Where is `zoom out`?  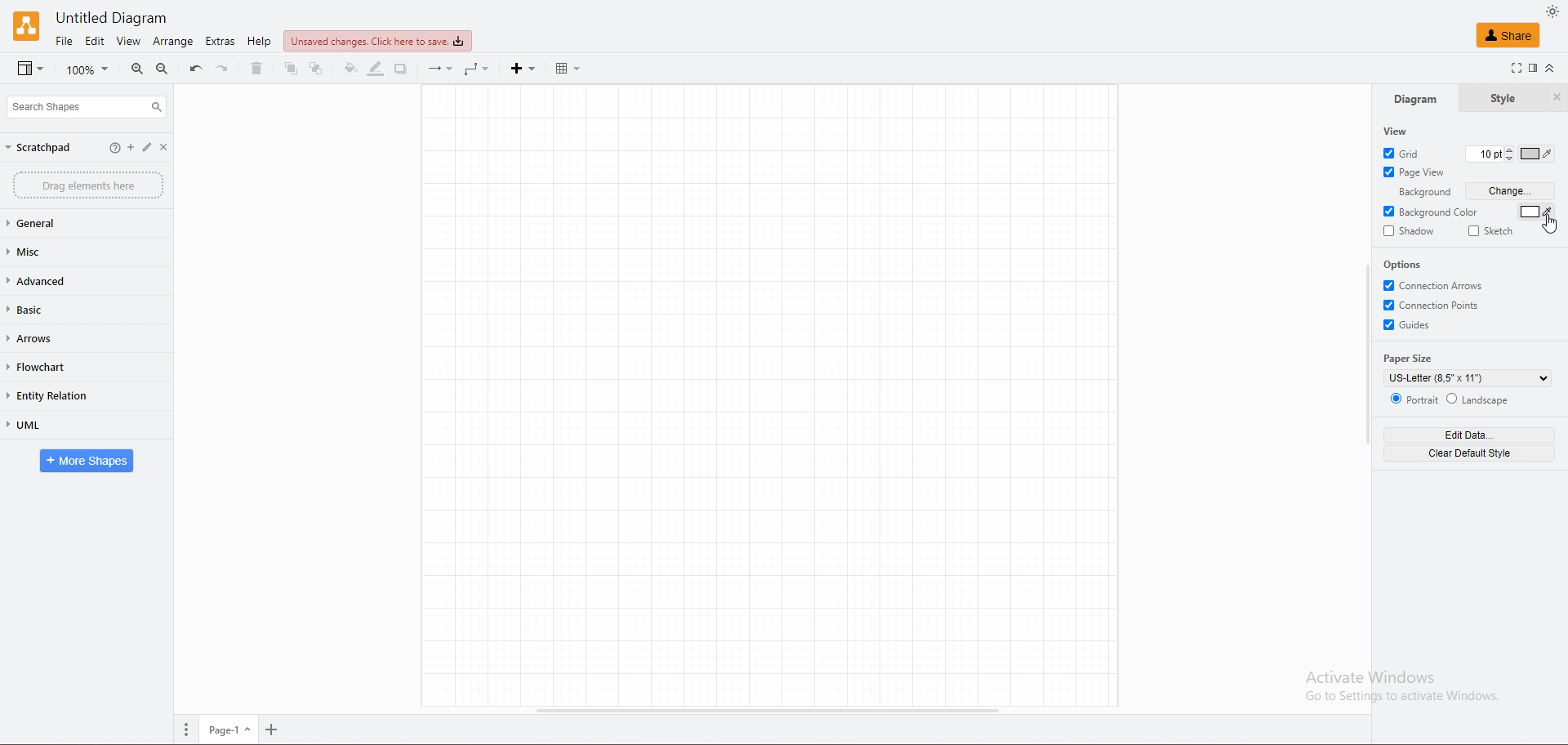
zoom out is located at coordinates (163, 69).